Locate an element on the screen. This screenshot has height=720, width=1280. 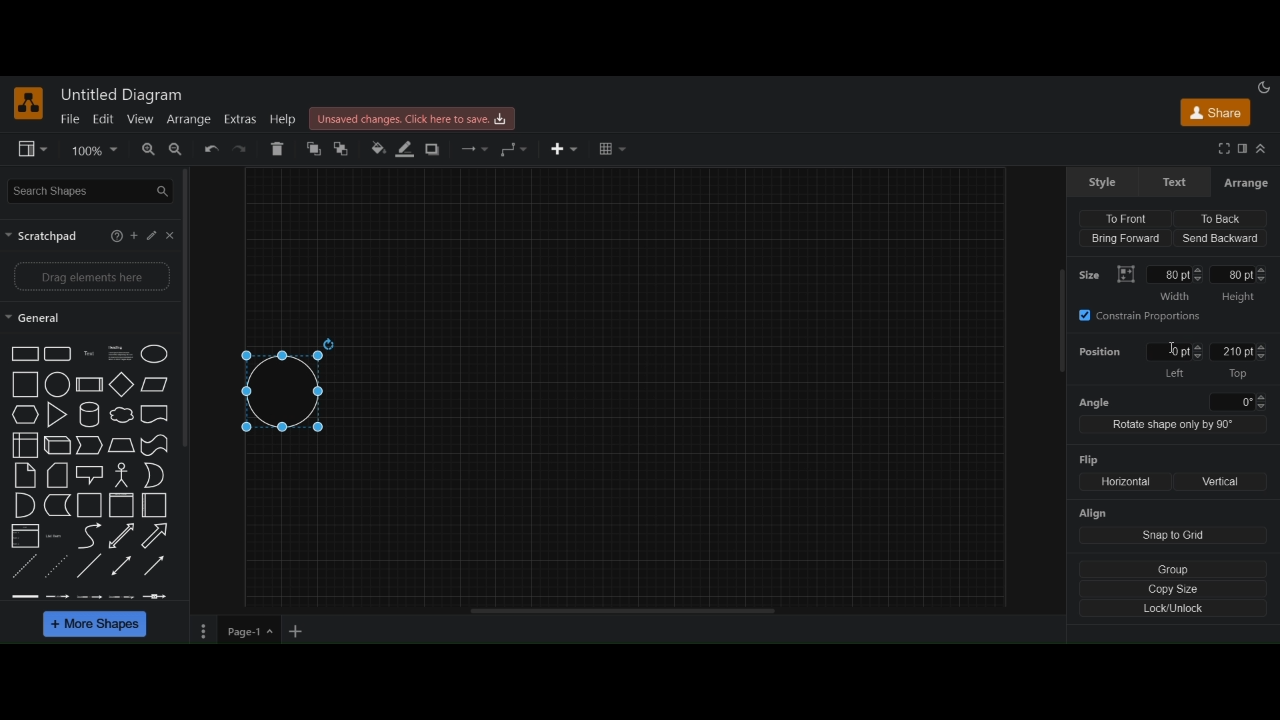
vertical is located at coordinates (1222, 482).